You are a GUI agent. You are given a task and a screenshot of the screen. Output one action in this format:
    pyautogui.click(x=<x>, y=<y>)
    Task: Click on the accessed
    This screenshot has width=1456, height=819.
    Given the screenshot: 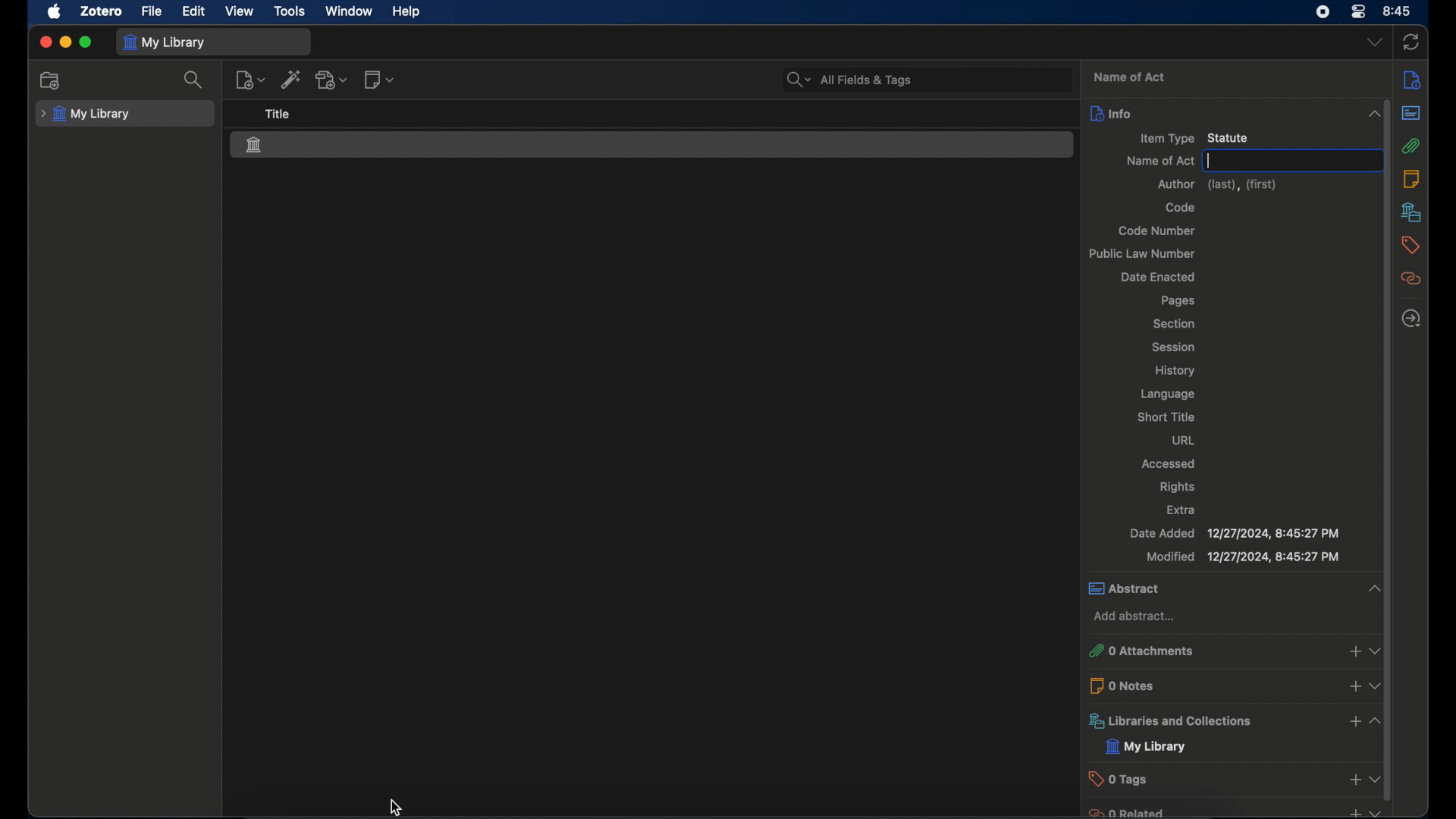 What is the action you would take?
    pyautogui.click(x=1169, y=464)
    